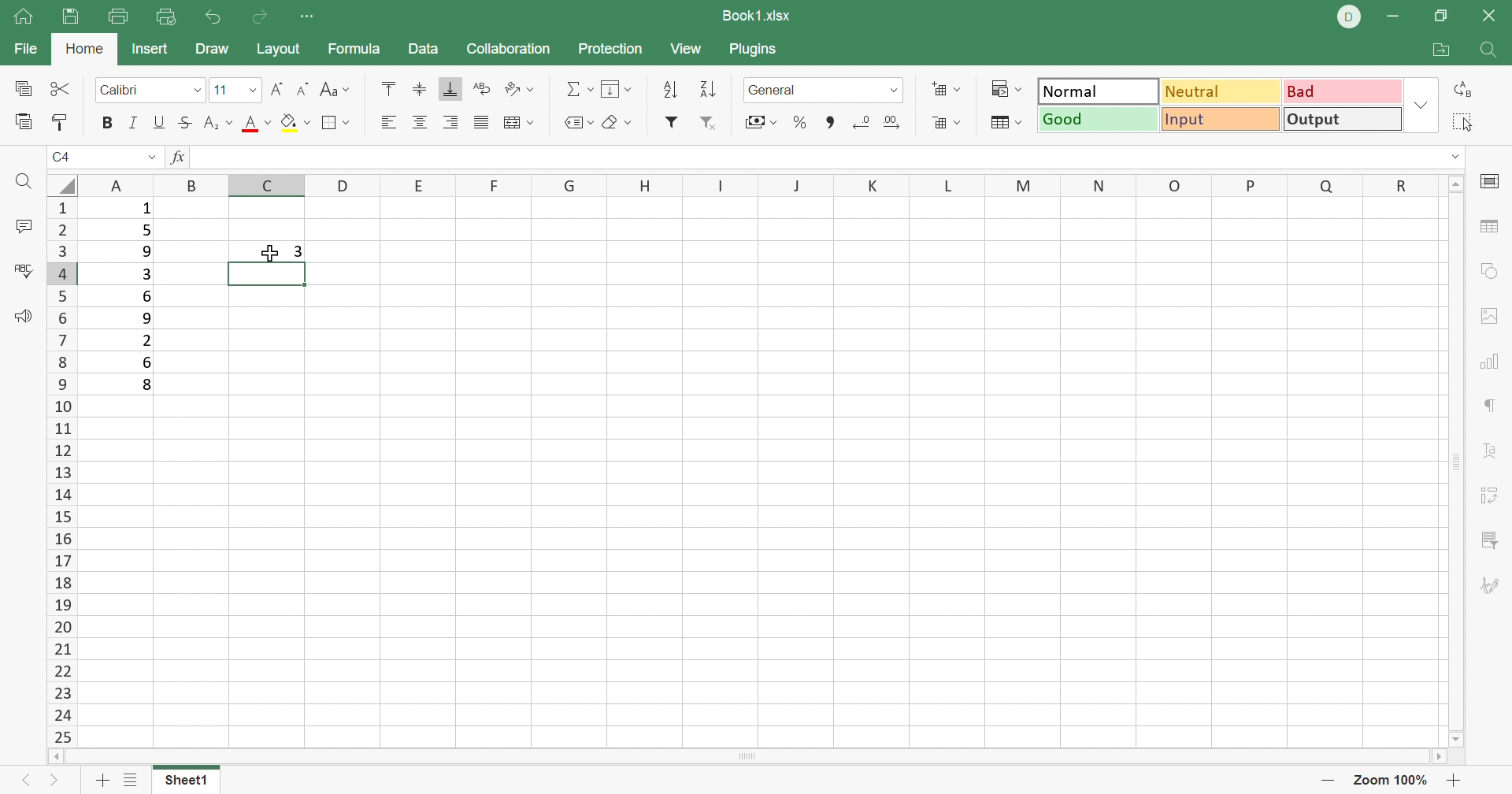  Describe the element at coordinates (685, 47) in the screenshot. I see `View` at that location.